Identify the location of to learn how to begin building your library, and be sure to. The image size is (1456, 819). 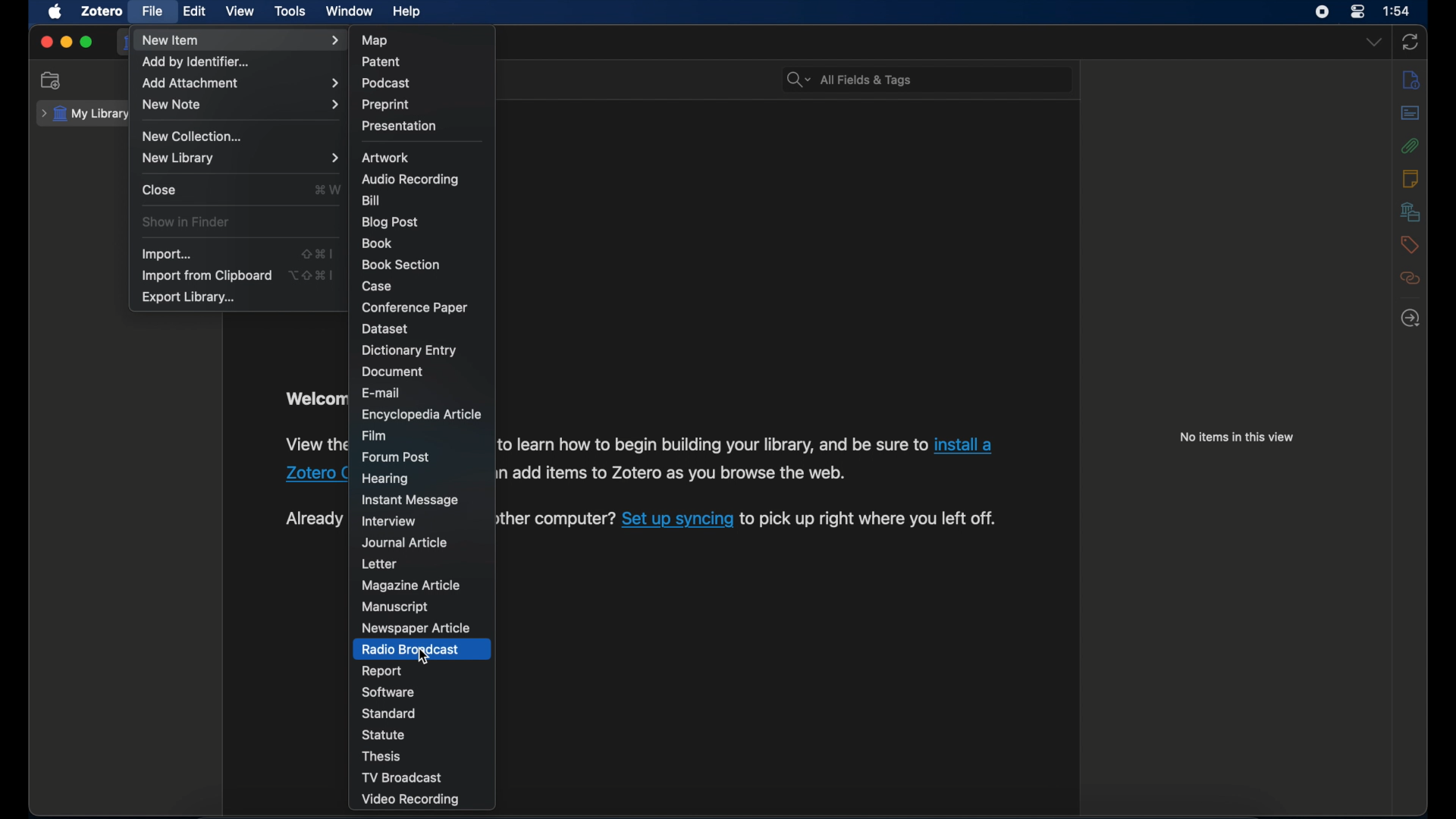
(713, 444).